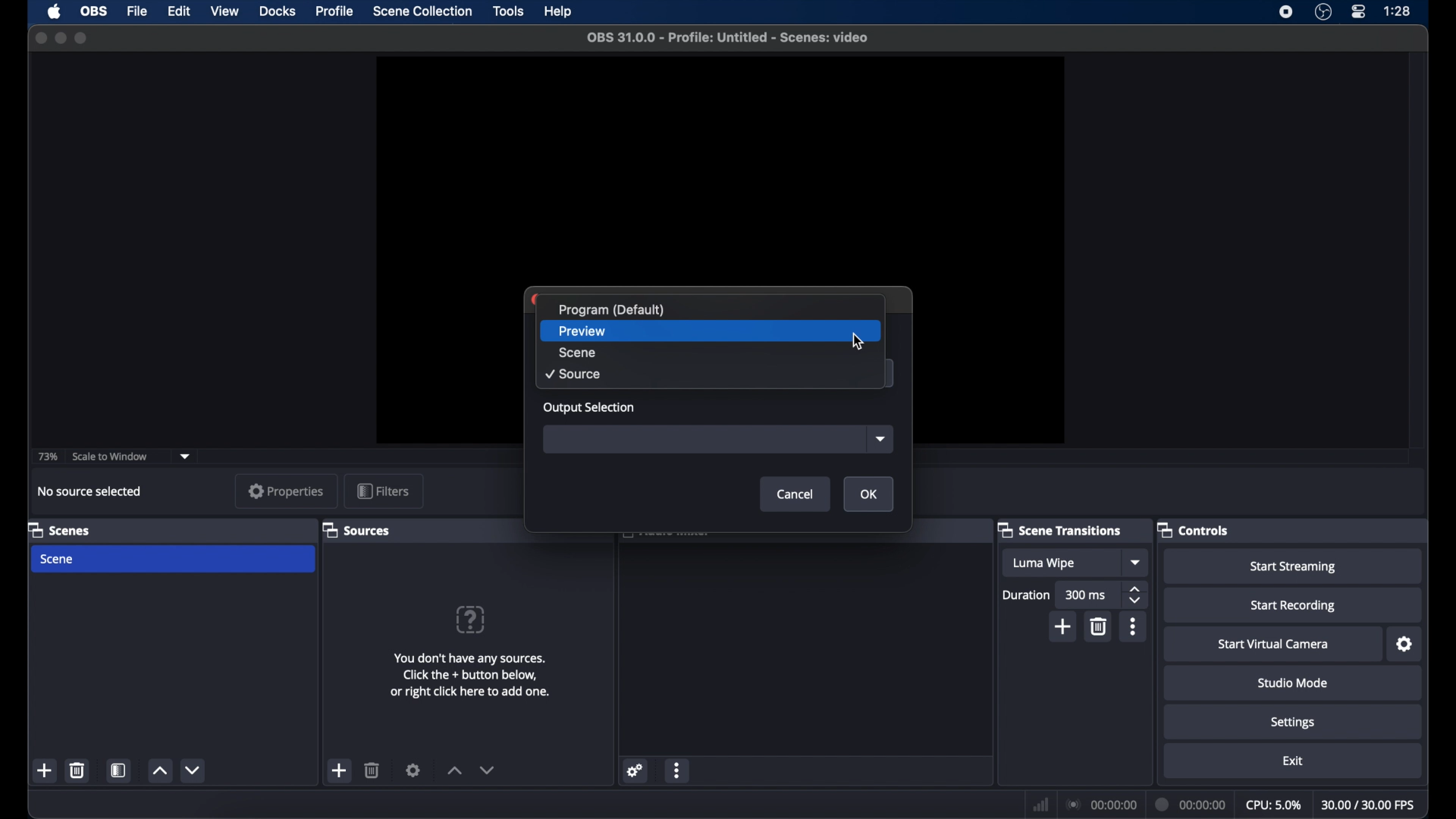 The height and width of the screenshot is (819, 1456). What do you see at coordinates (1397, 11) in the screenshot?
I see `time` at bounding box center [1397, 11].